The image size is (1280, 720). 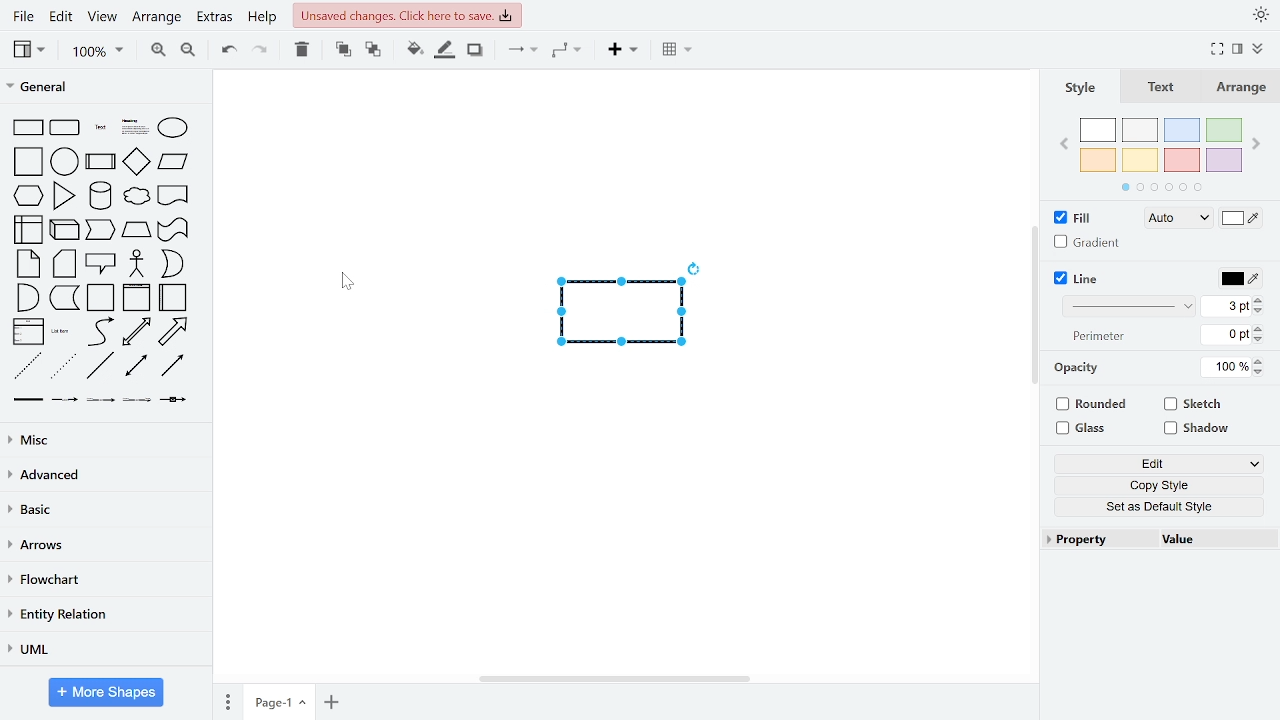 What do you see at coordinates (1078, 369) in the screenshot?
I see `text` at bounding box center [1078, 369].